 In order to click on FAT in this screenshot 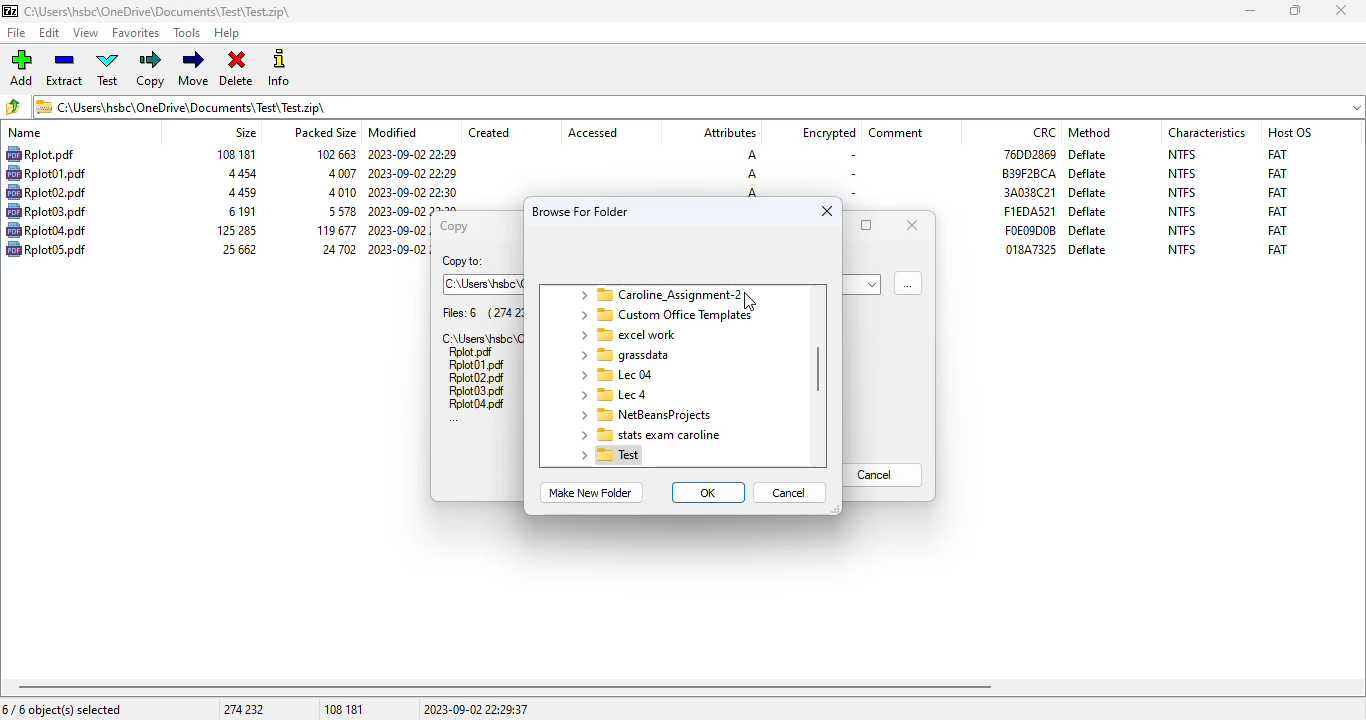, I will do `click(1277, 153)`.